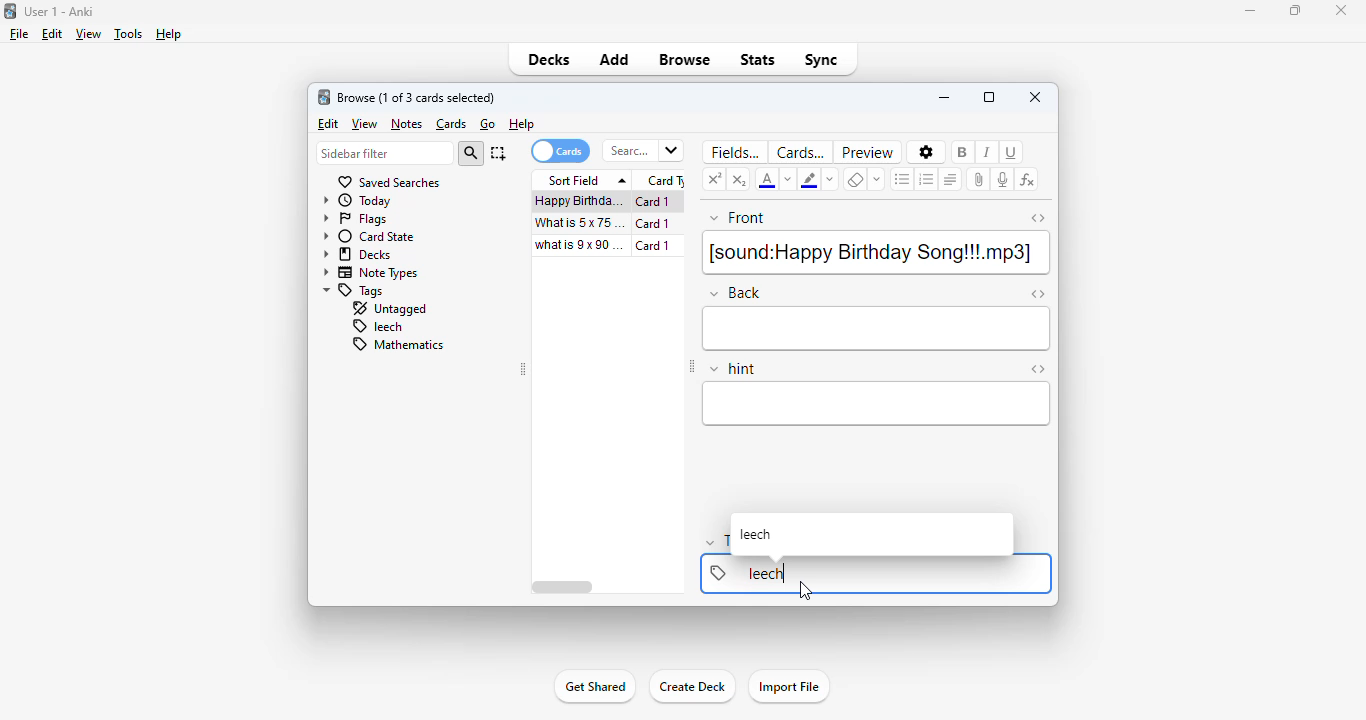  Describe the element at coordinates (878, 179) in the screenshot. I see `select formatting to remove` at that location.